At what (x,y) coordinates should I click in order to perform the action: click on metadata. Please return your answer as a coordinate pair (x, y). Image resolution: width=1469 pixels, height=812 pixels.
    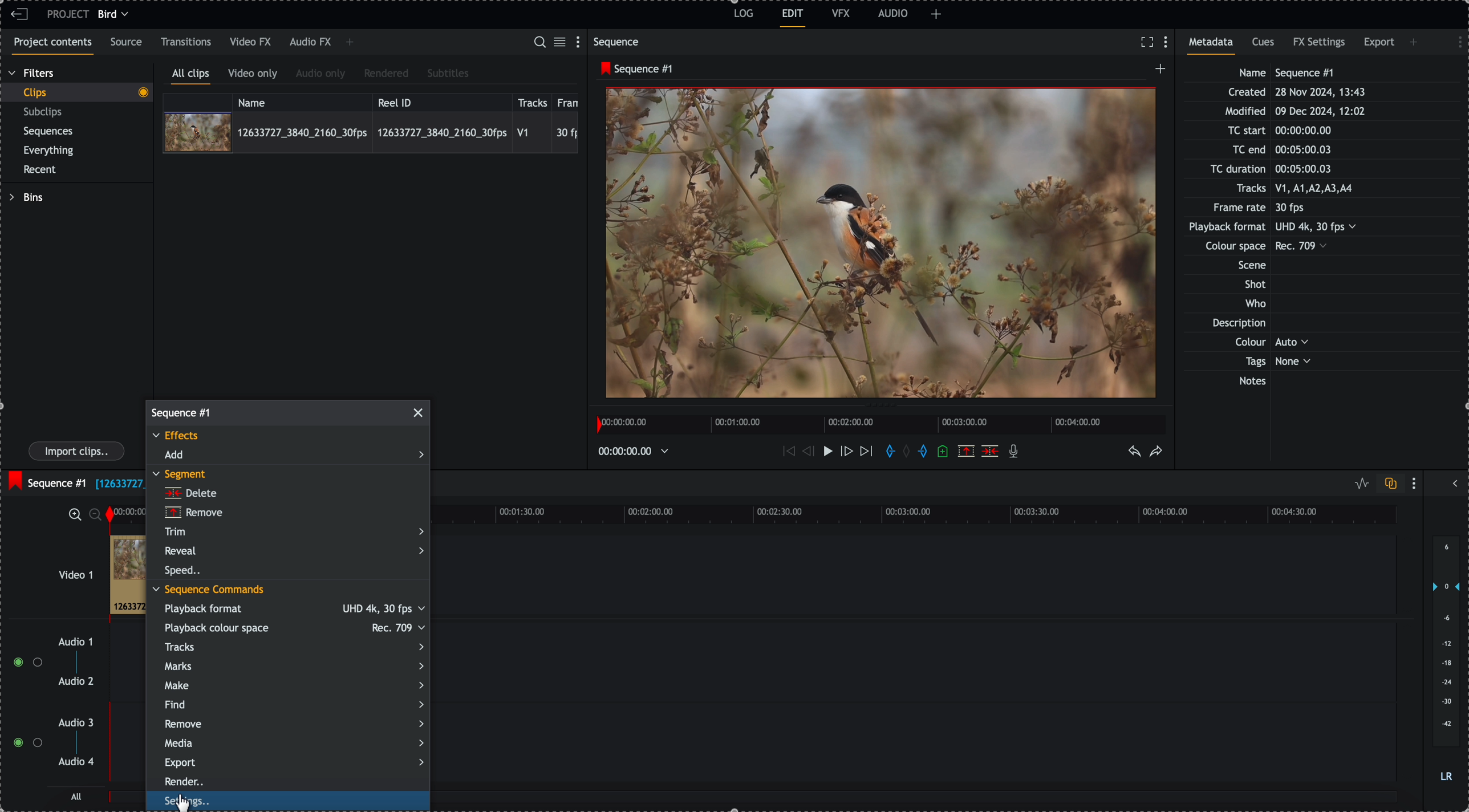
    Looking at the image, I should click on (1284, 228).